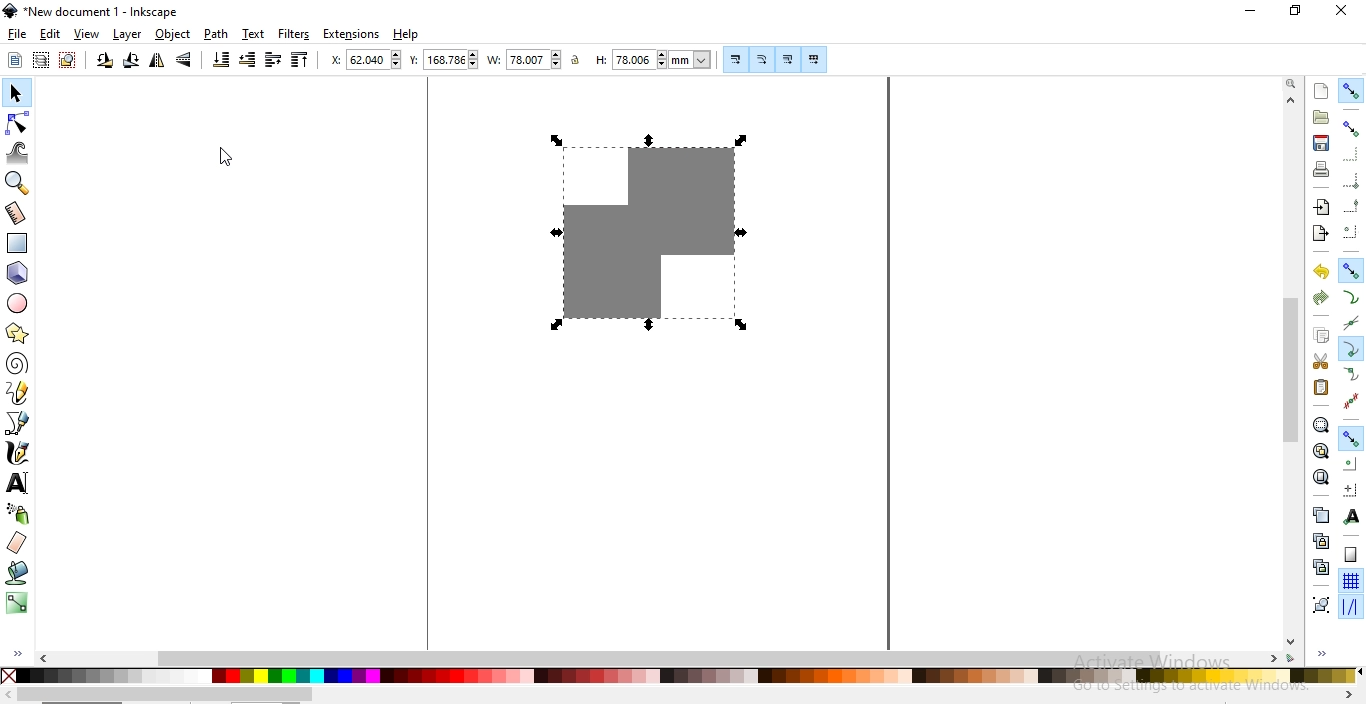 Image resolution: width=1366 pixels, height=704 pixels. Describe the element at coordinates (19, 572) in the screenshot. I see `fill bounded areas` at that location.